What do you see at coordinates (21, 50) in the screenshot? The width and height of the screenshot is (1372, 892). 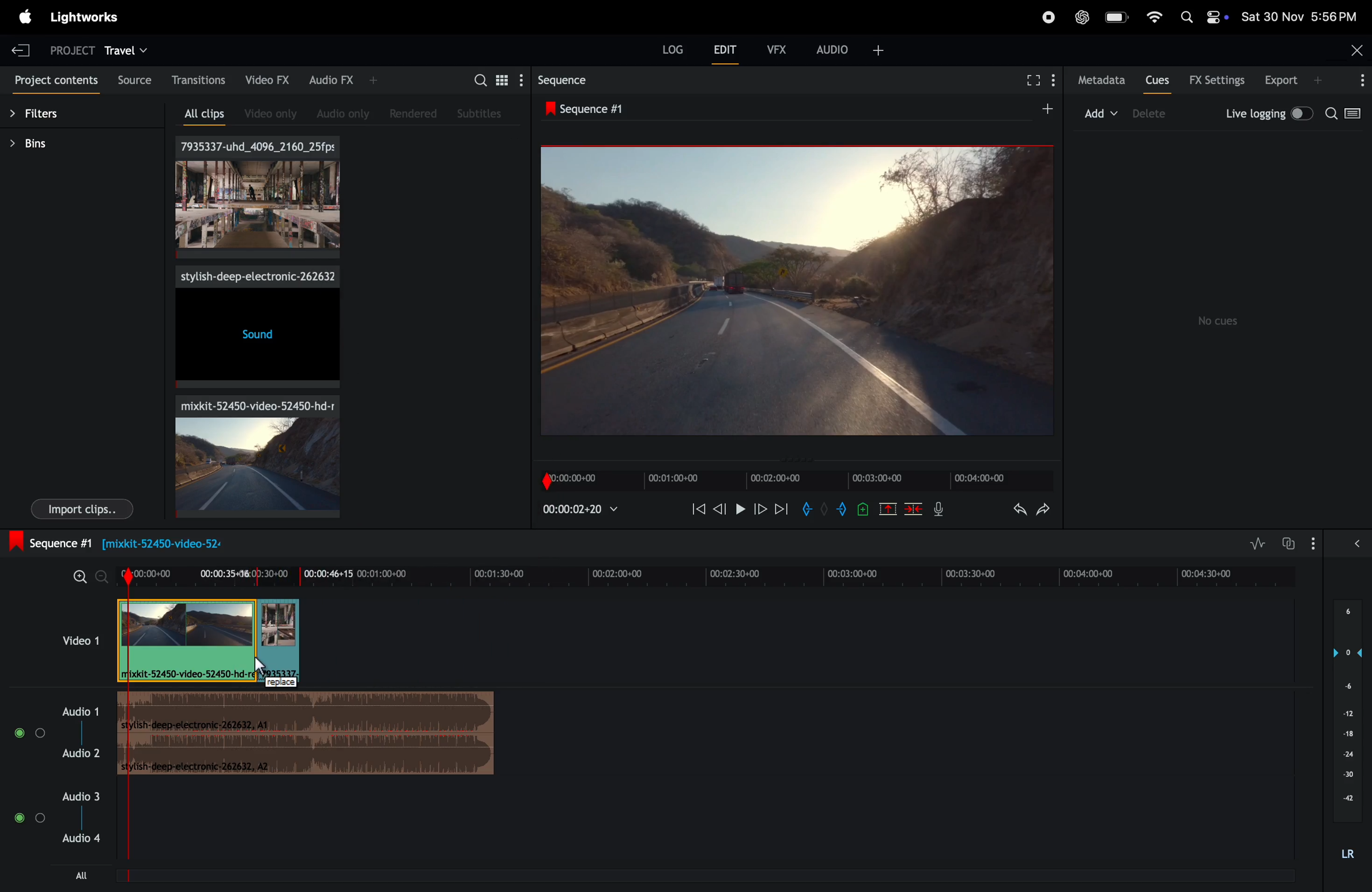 I see `exit` at bounding box center [21, 50].